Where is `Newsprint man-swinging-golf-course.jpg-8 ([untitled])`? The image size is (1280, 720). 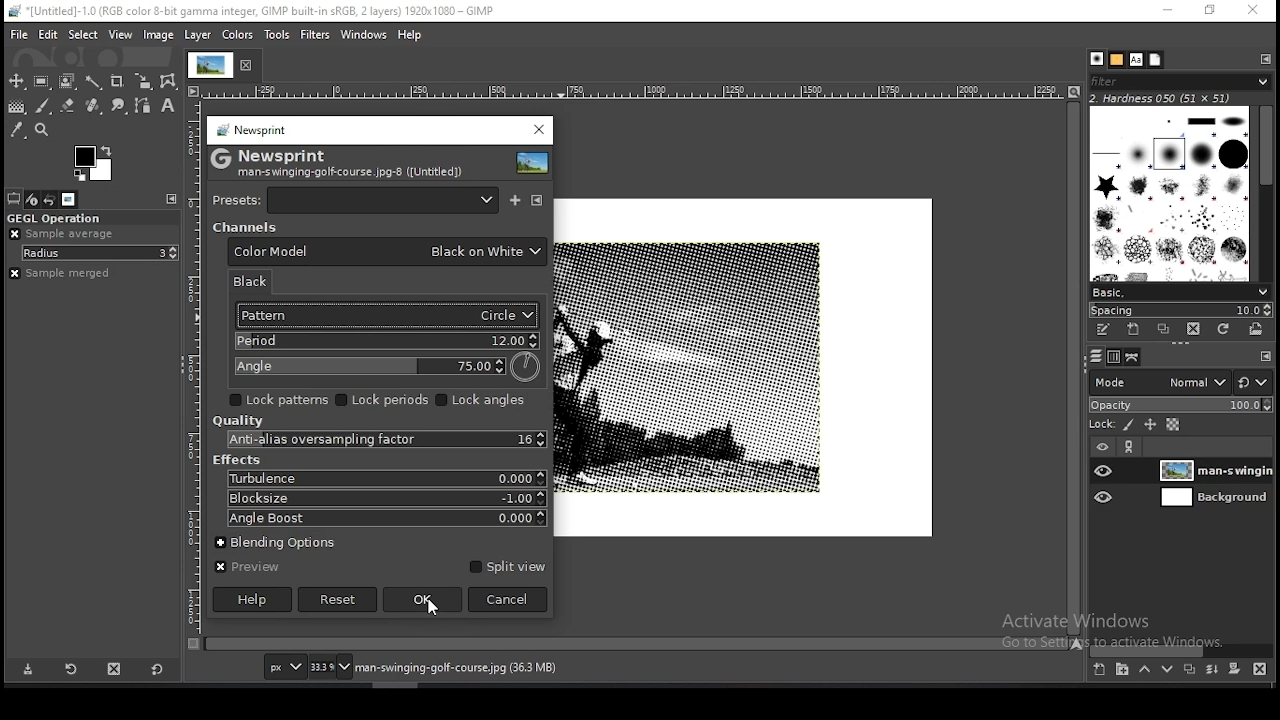 Newsprint man-swinging-golf-course.jpg-8 ([untitled]) is located at coordinates (340, 162).